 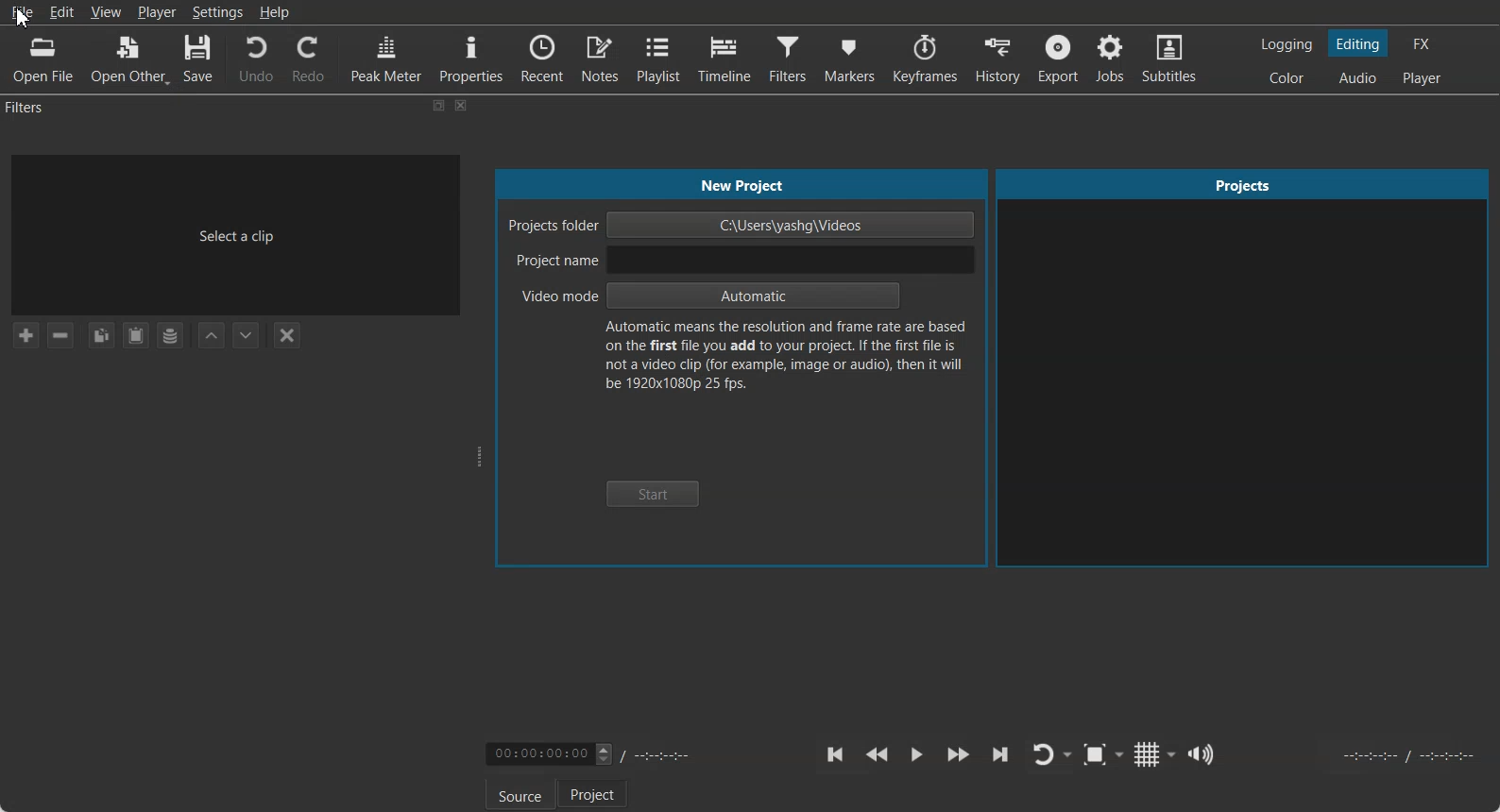 What do you see at coordinates (158, 12) in the screenshot?
I see `Player` at bounding box center [158, 12].